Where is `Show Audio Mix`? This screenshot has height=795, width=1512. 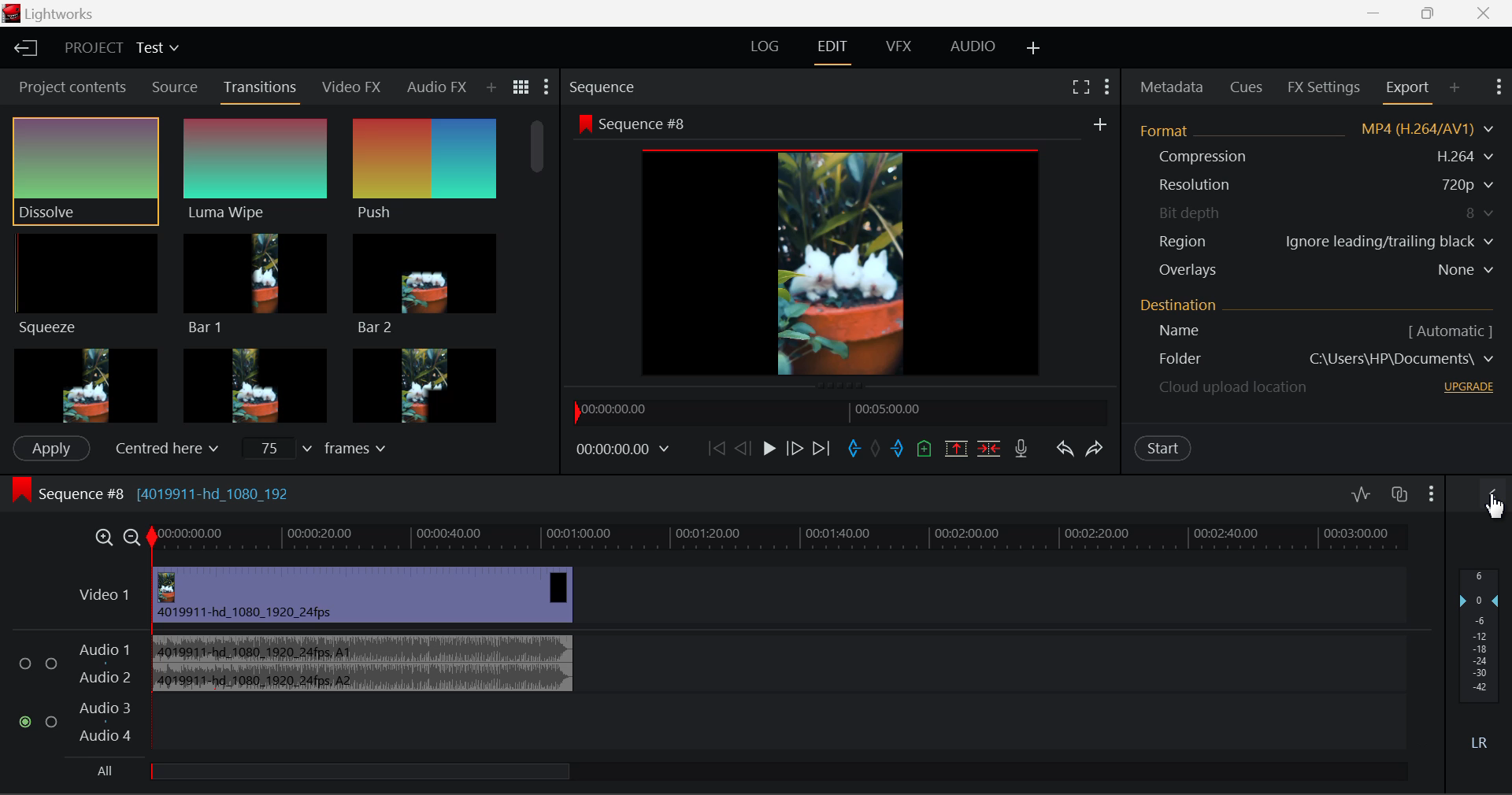
Show Audio Mix is located at coordinates (1492, 496).